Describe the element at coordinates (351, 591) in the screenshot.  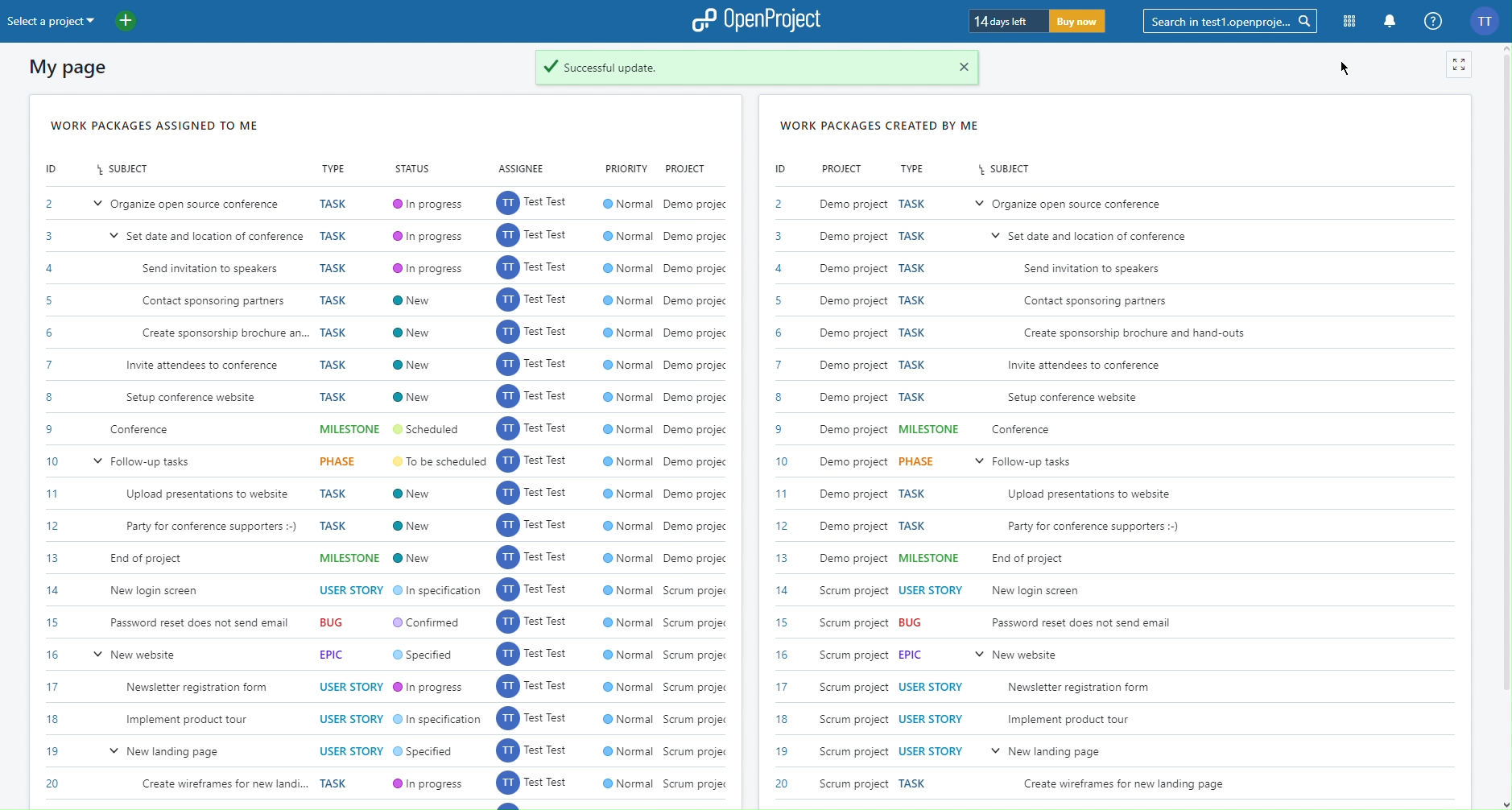
I see `User Story` at that location.